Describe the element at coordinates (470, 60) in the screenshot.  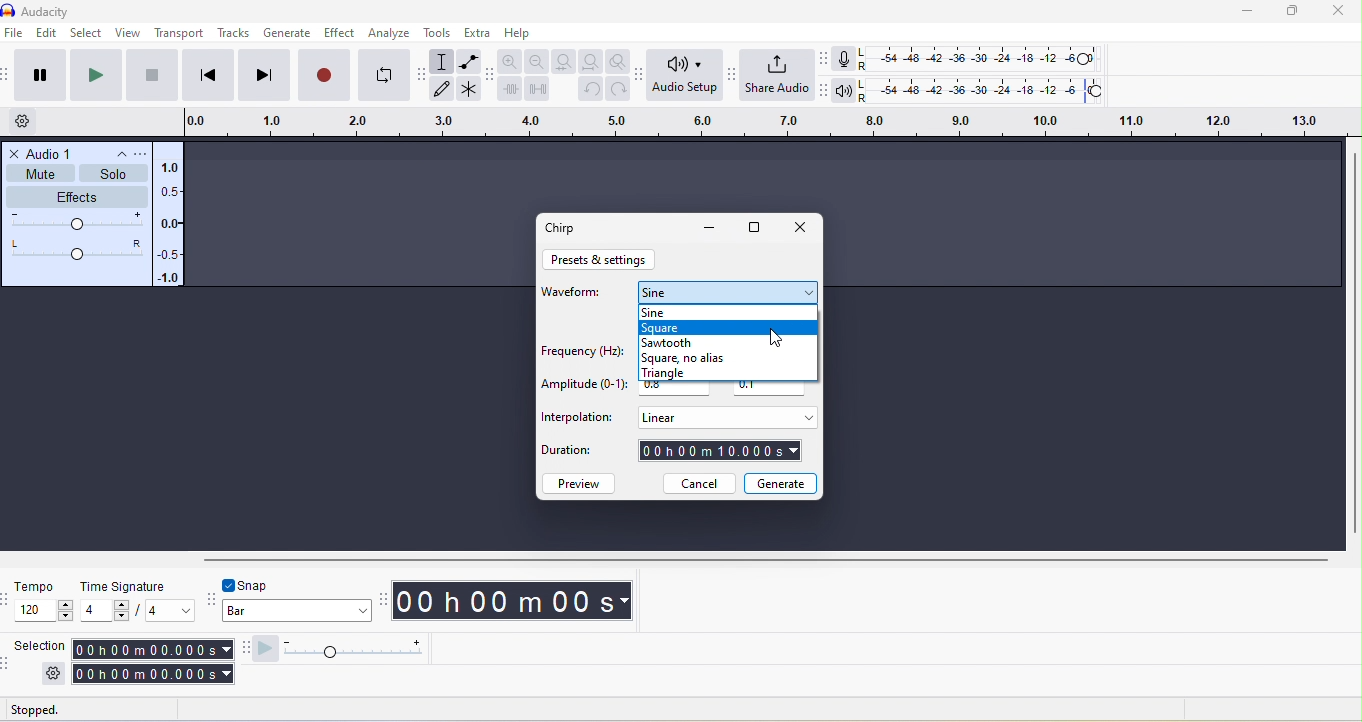
I see `envelope tool ` at that location.